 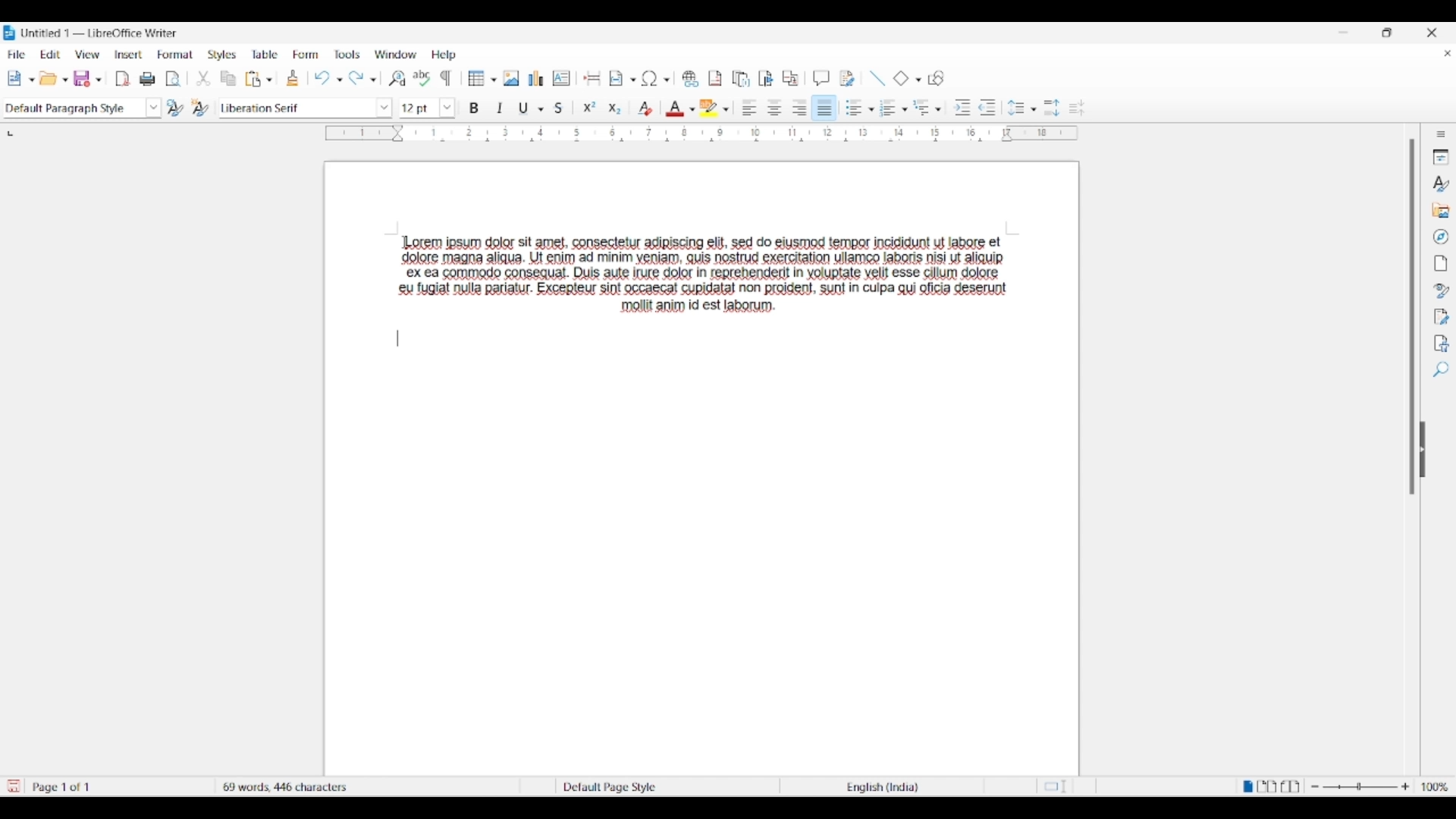 What do you see at coordinates (1405, 786) in the screenshot?
I see `Zoom in` at bounding box center [1405, 786].